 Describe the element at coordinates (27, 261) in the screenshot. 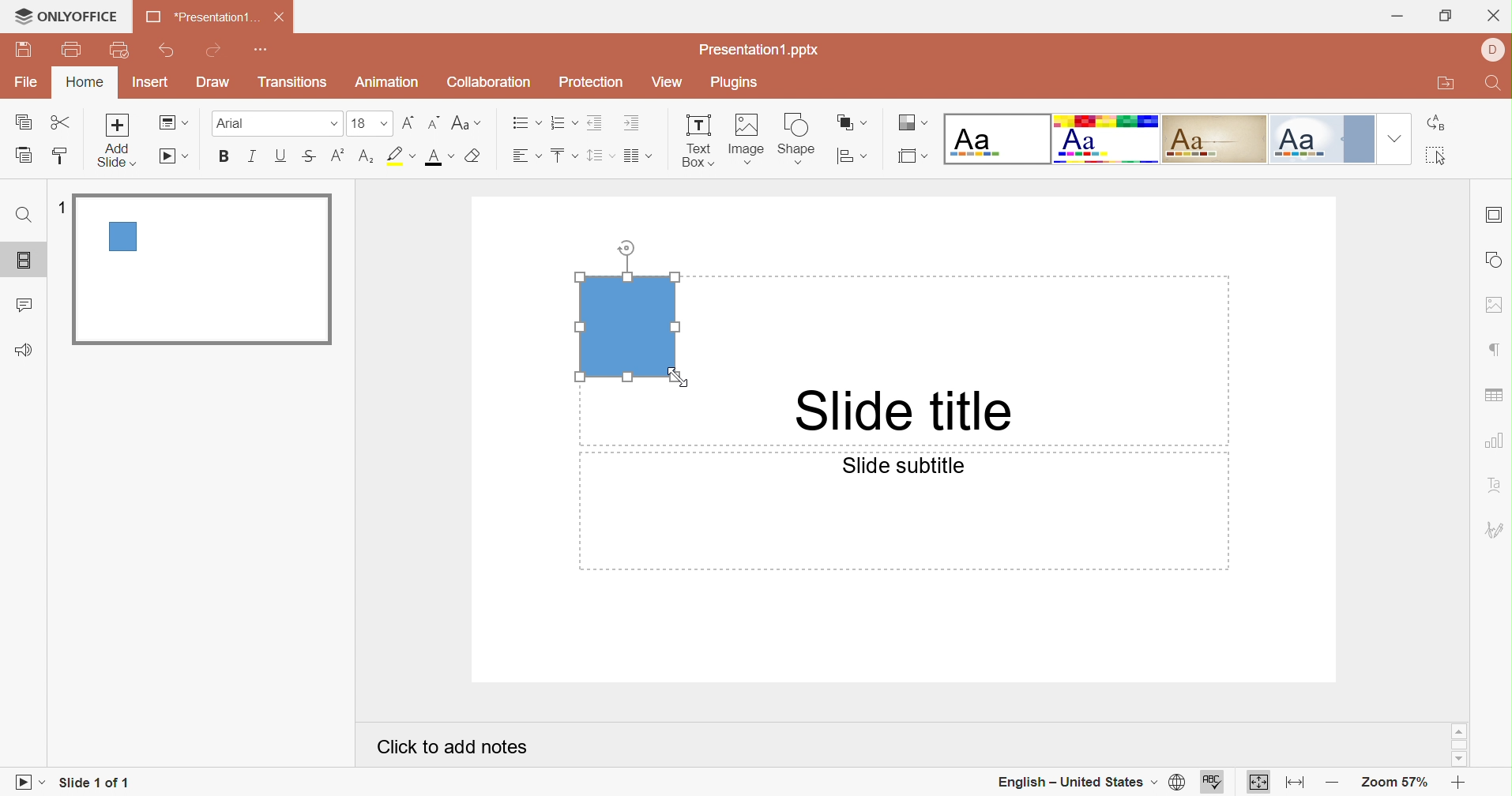

I see `Slides` at that location.